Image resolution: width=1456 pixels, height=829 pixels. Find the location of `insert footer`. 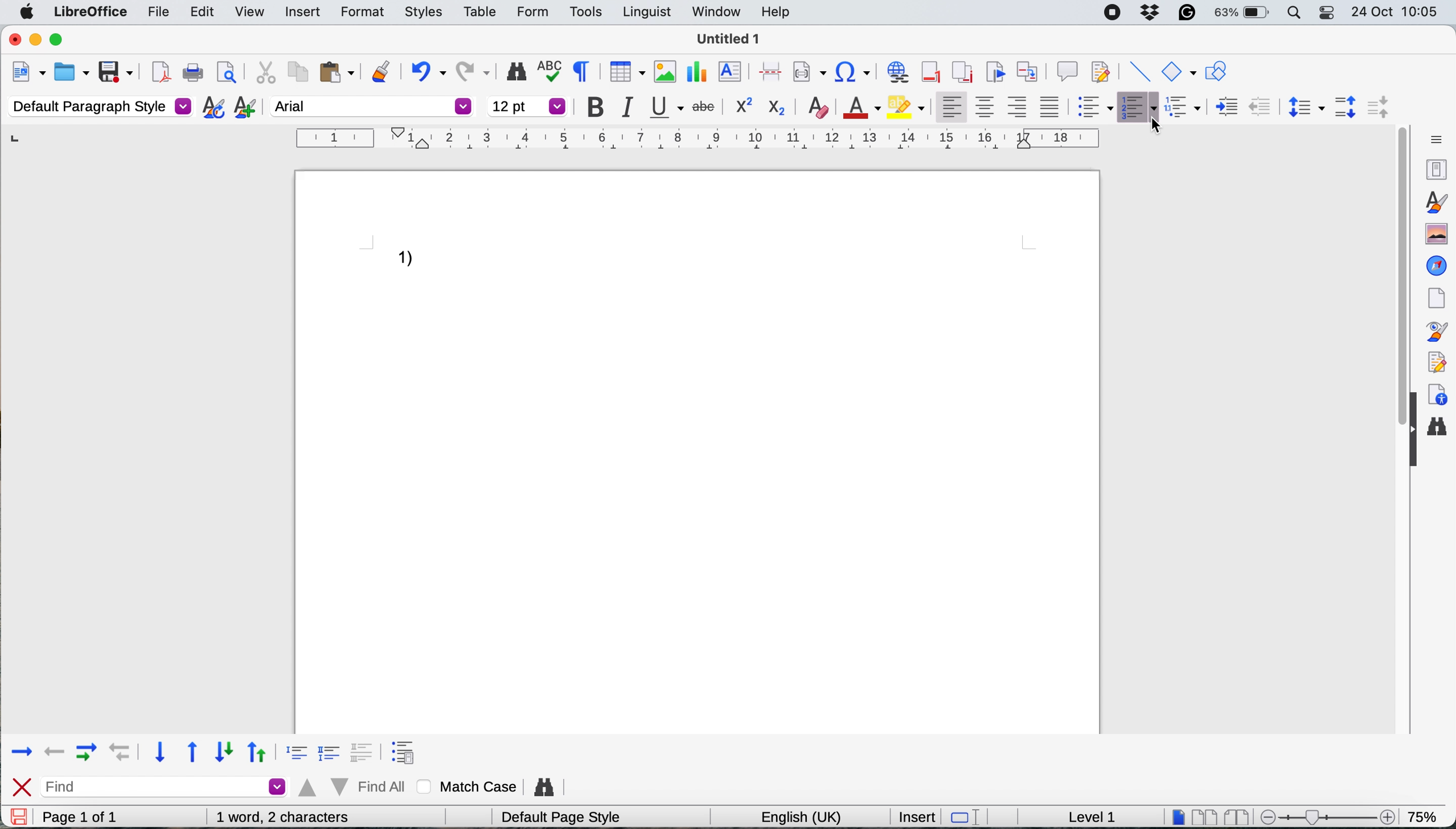

insert footer is located at coordinates (932, 71).